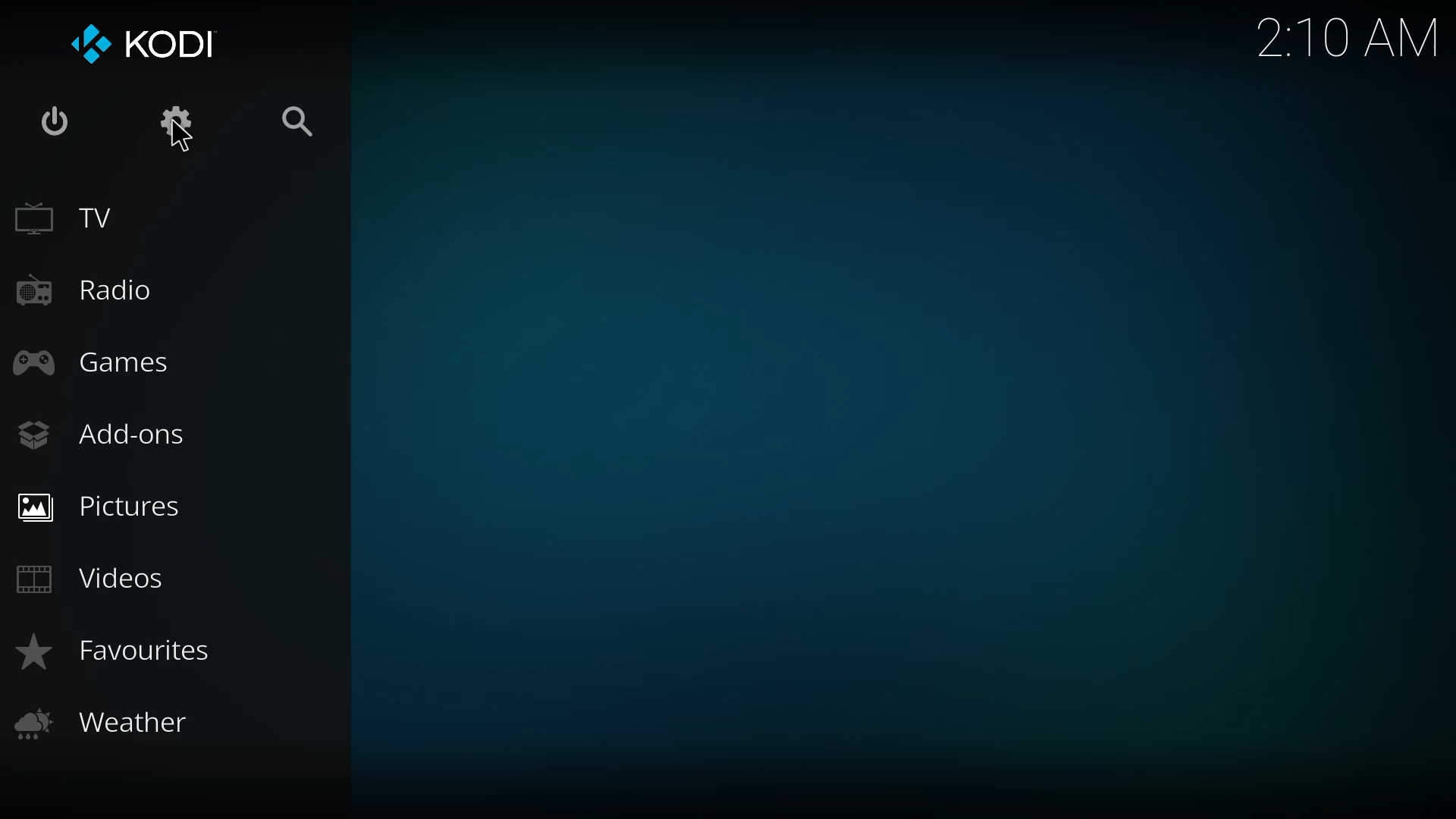 The image size is (1456, 819). Describe the element at coordinates (100, 723) in the screenshot. I see `weather` at that location.